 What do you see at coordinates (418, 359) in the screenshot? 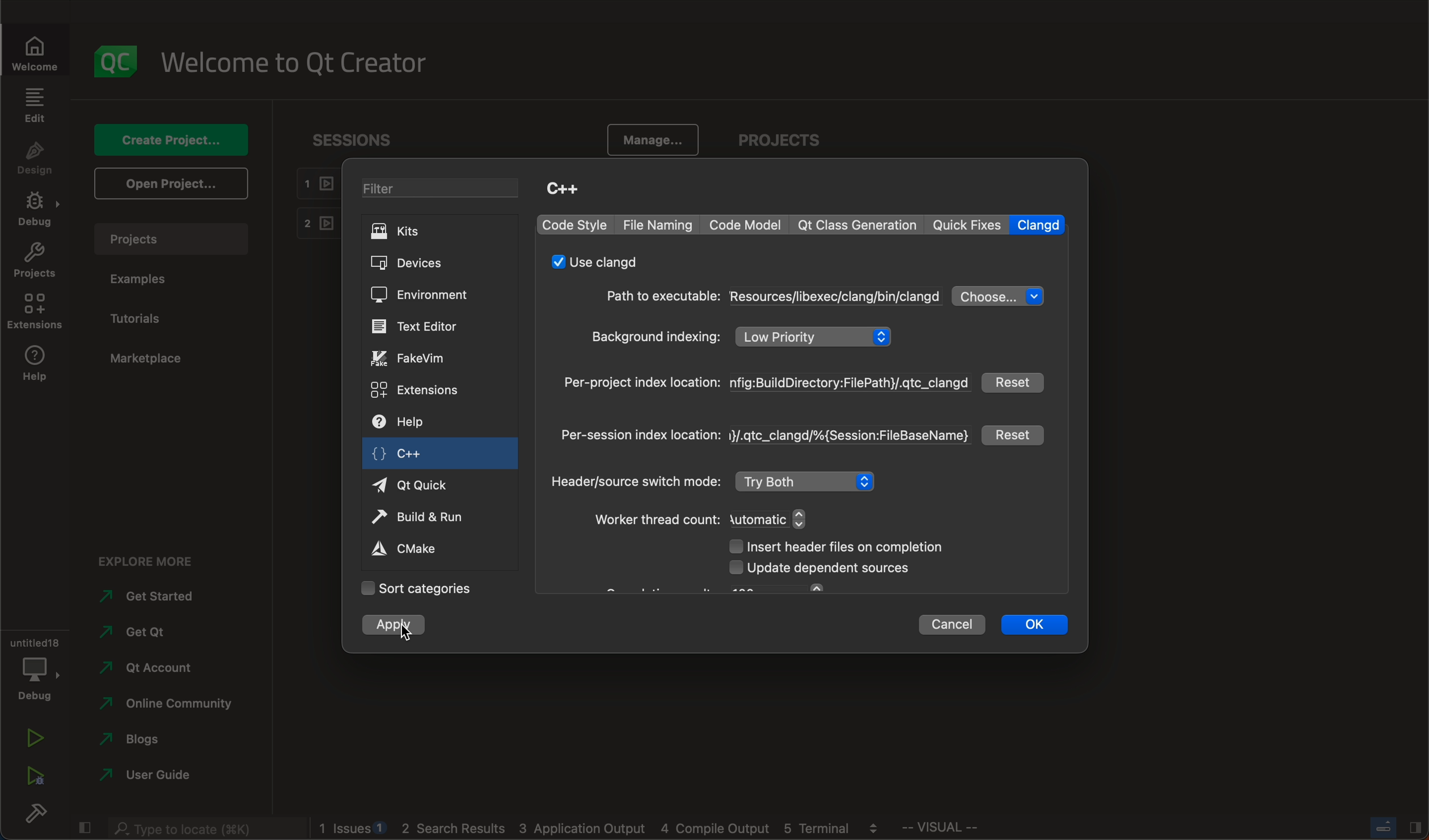
I see `fake vim` at bounding box center [418, 359].